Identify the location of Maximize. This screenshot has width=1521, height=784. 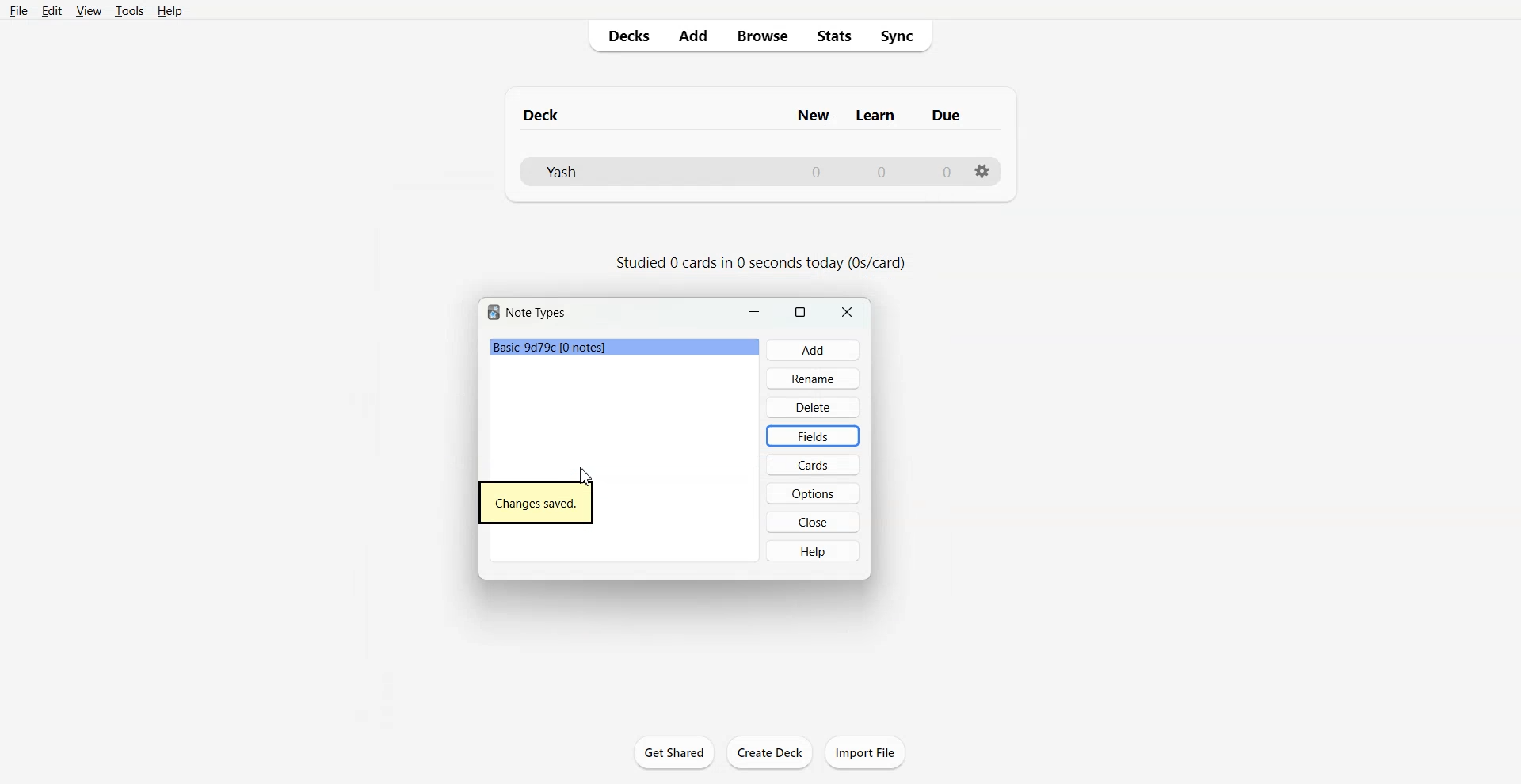
(801, 312).